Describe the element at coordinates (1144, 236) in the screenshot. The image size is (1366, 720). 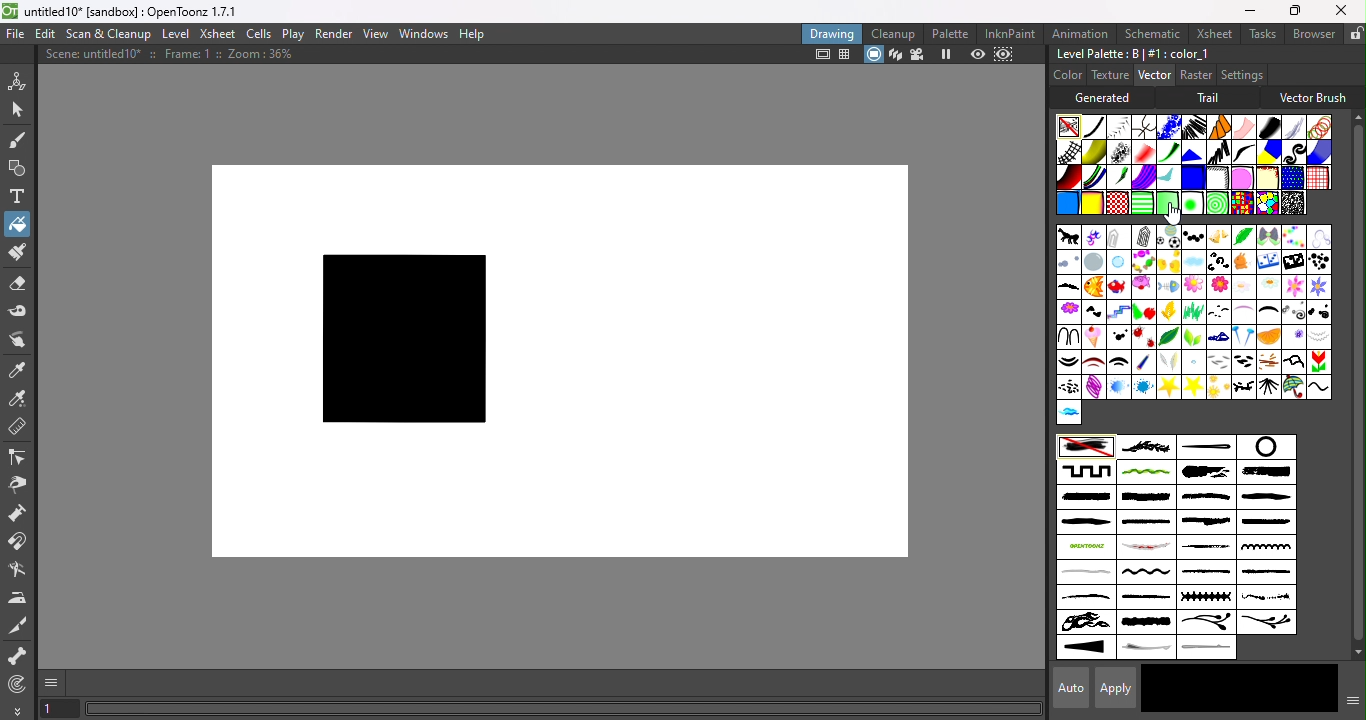
I see `atta` at that location.